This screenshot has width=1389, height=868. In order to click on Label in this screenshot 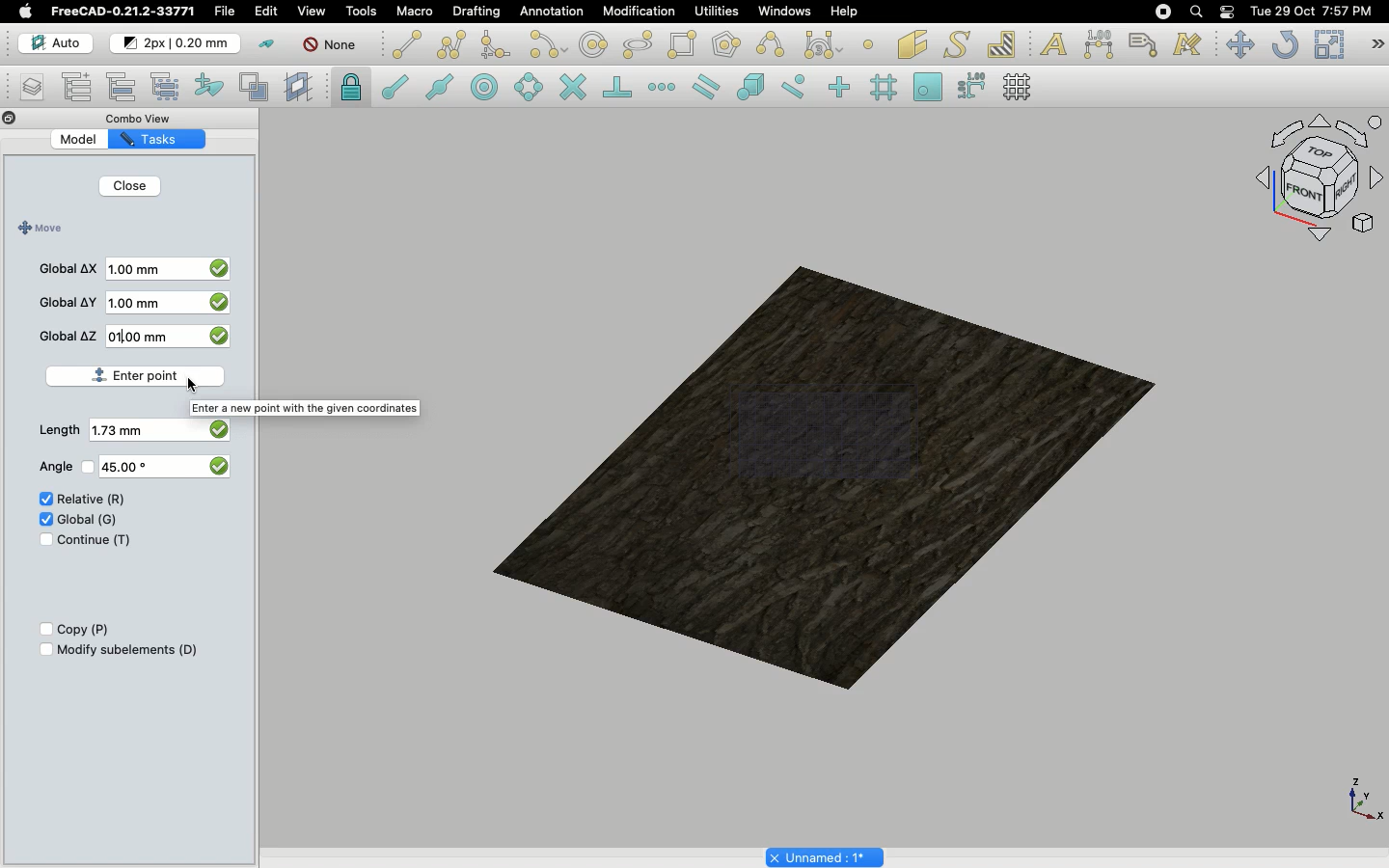, I will do `click(1146, 44)`.